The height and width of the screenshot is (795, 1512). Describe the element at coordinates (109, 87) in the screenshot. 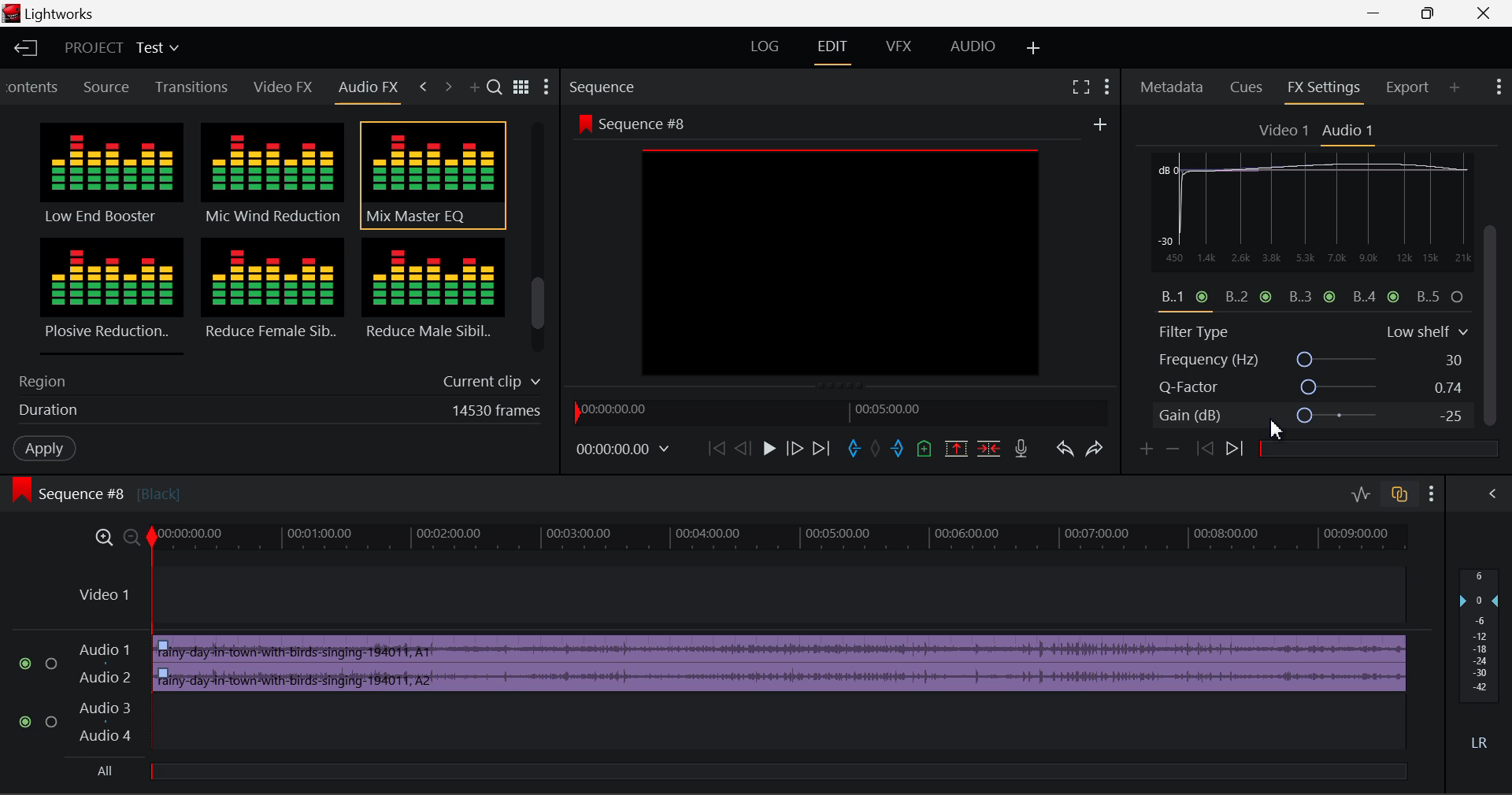

I see `Source` at that location.